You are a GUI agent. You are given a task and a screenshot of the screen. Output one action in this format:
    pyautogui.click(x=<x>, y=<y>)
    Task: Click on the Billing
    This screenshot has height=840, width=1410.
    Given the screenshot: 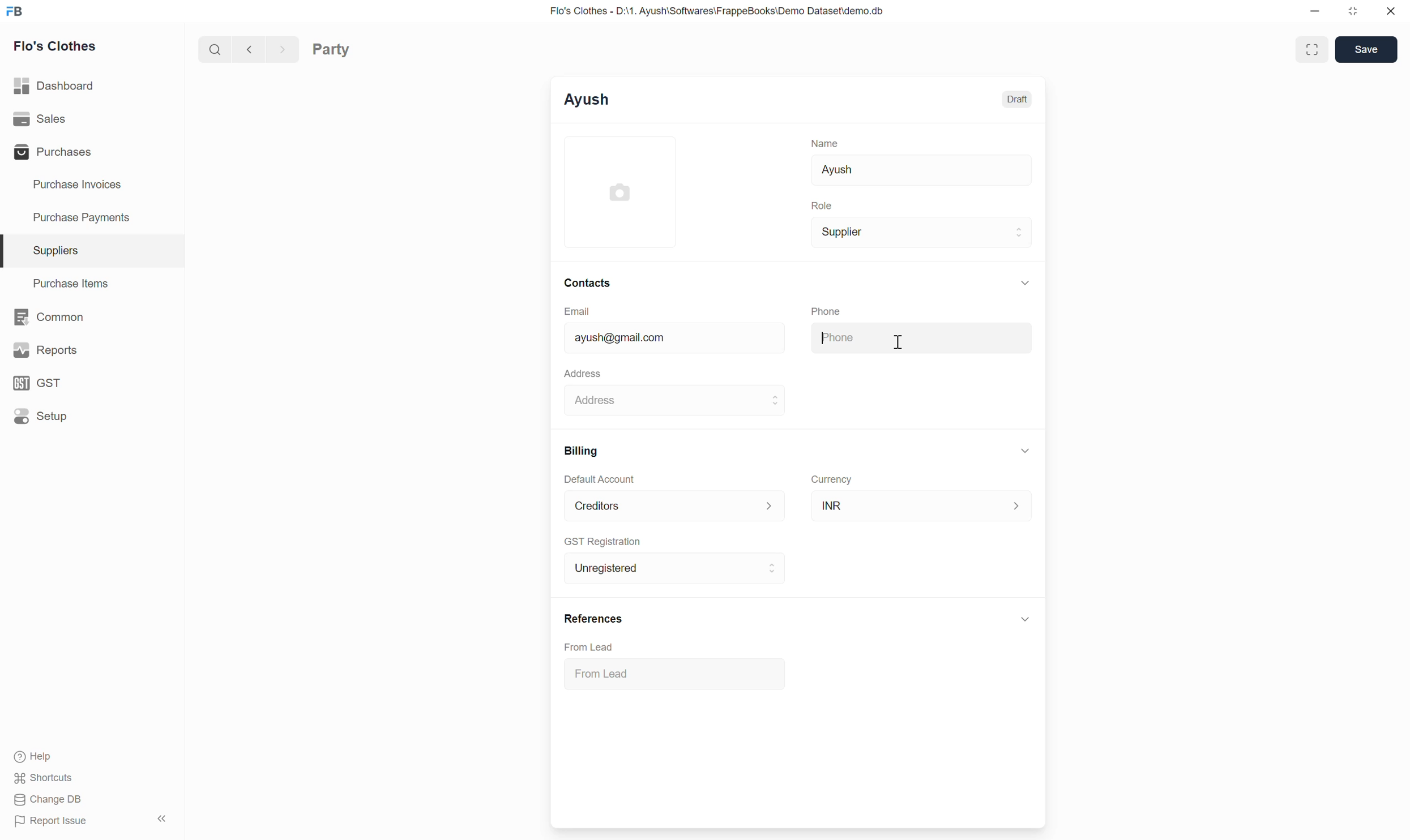 What is the action you would take?
    pyautogui.click(x=581, y=451)
    